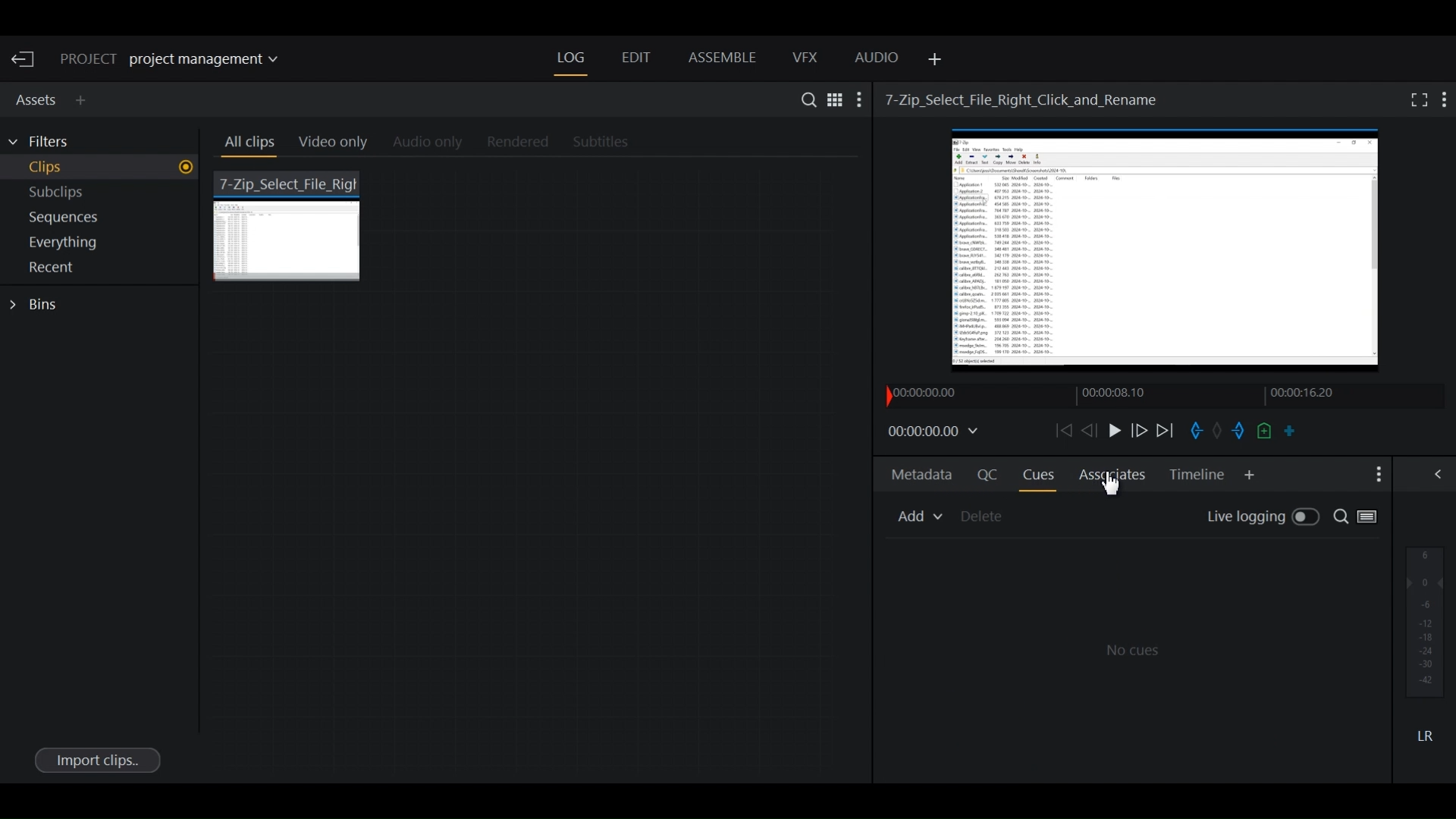 This screenshot has width=1456, height=819. What do you see at coordinates (918, 516) in the screenshot?
I see `Add` at bounding box center [918, 516].